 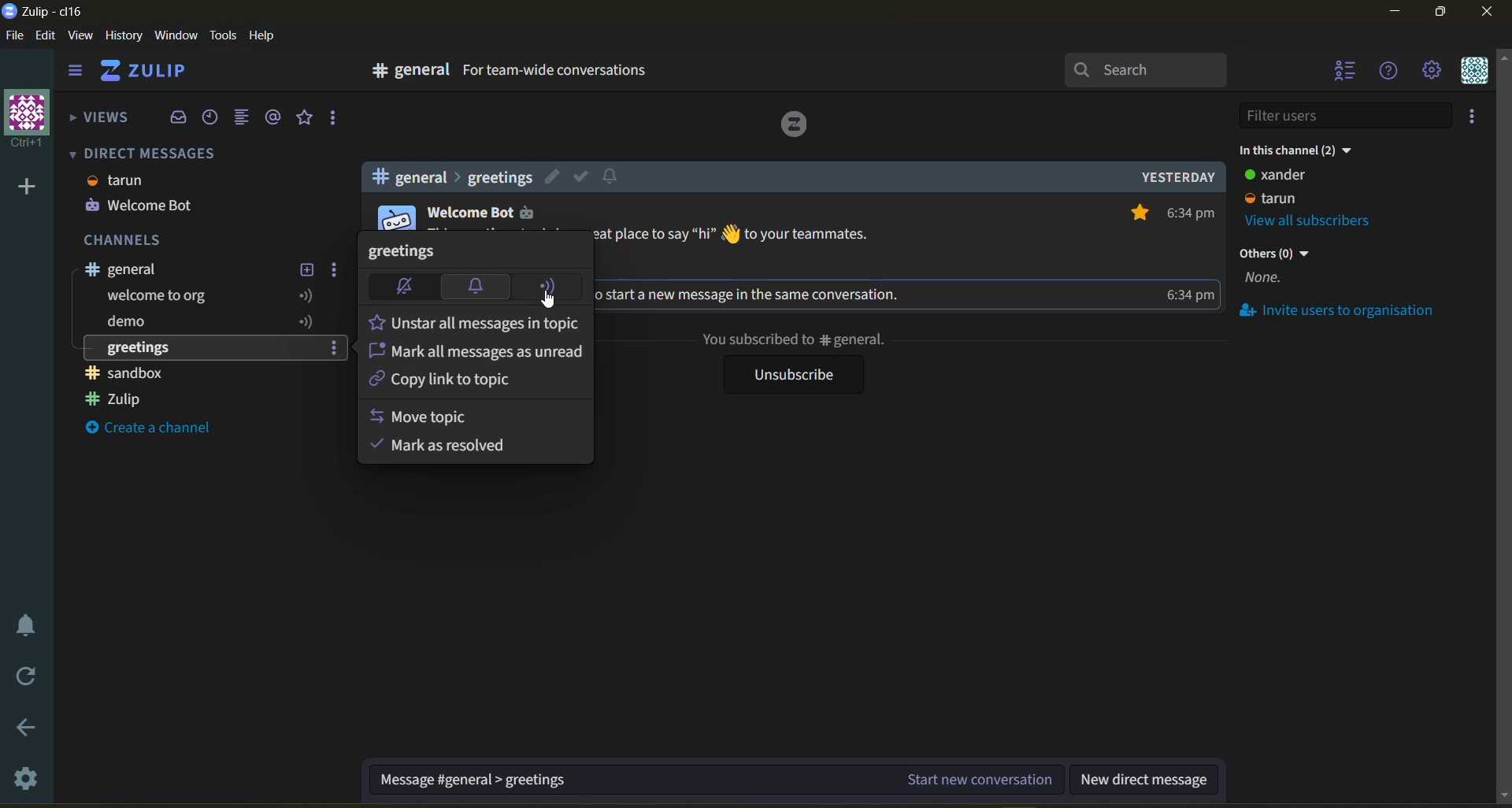 What do you see at coordinates (21, 680) in the screenshot?
I see `reload` at bounding box center [21, 680].